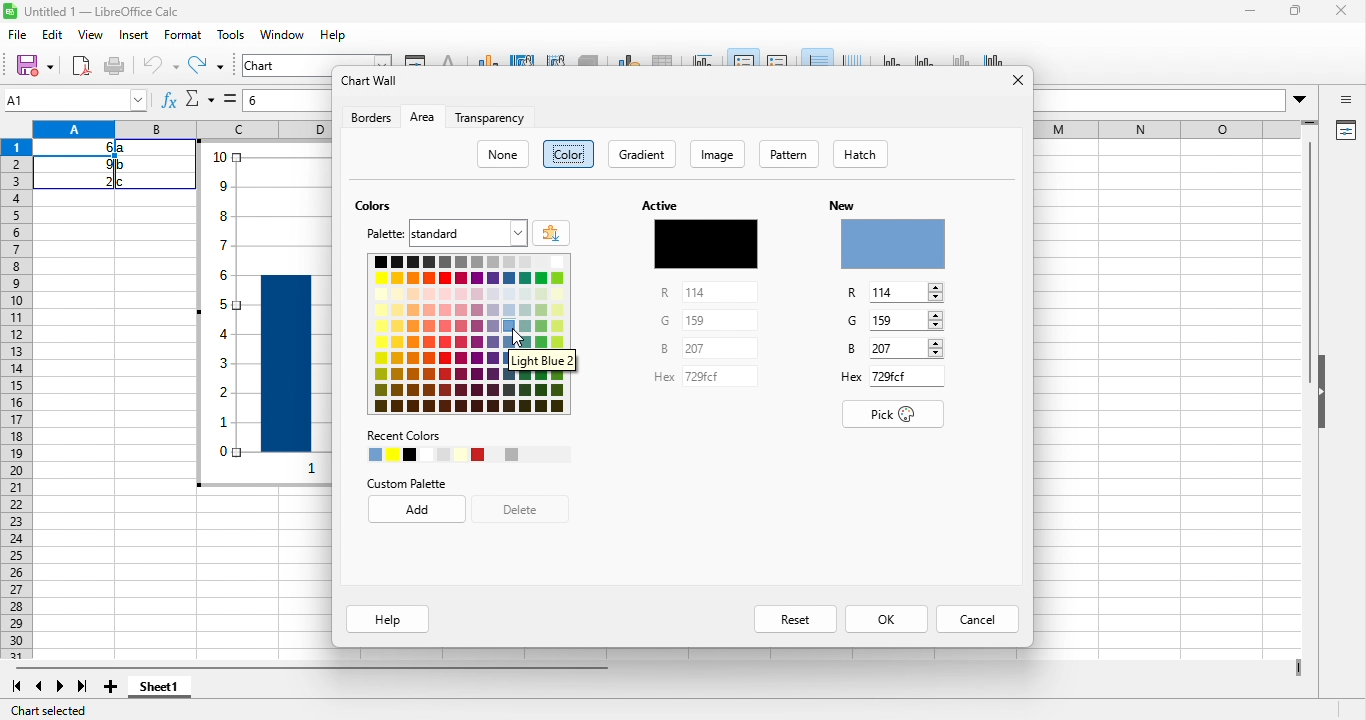 The image size is (1366, 720). Describe the element at coordinates (719, 153) in the screenshot. I see `image` at that location.